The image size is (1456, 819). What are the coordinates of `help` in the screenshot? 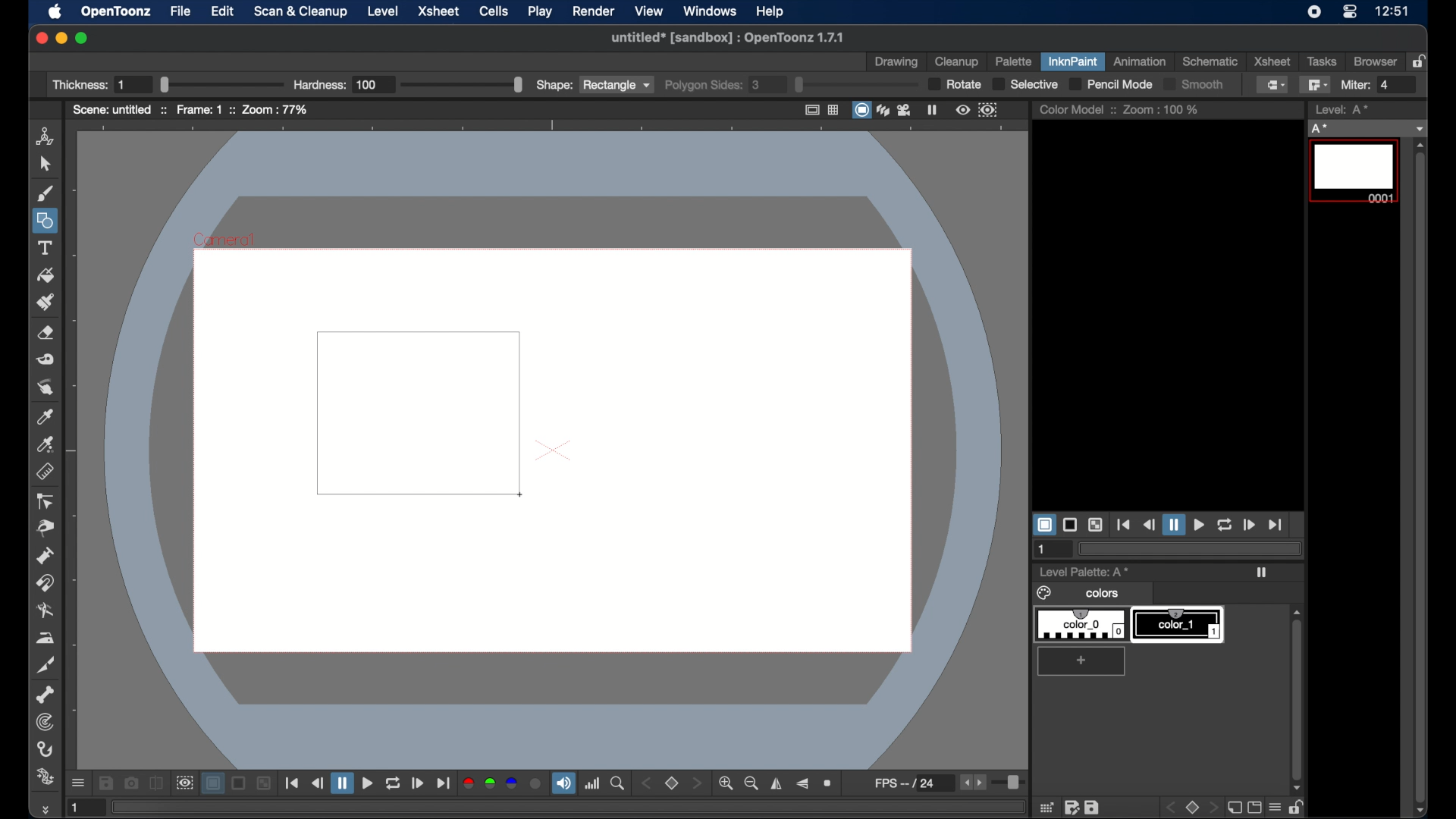 It's located at (770, 11).